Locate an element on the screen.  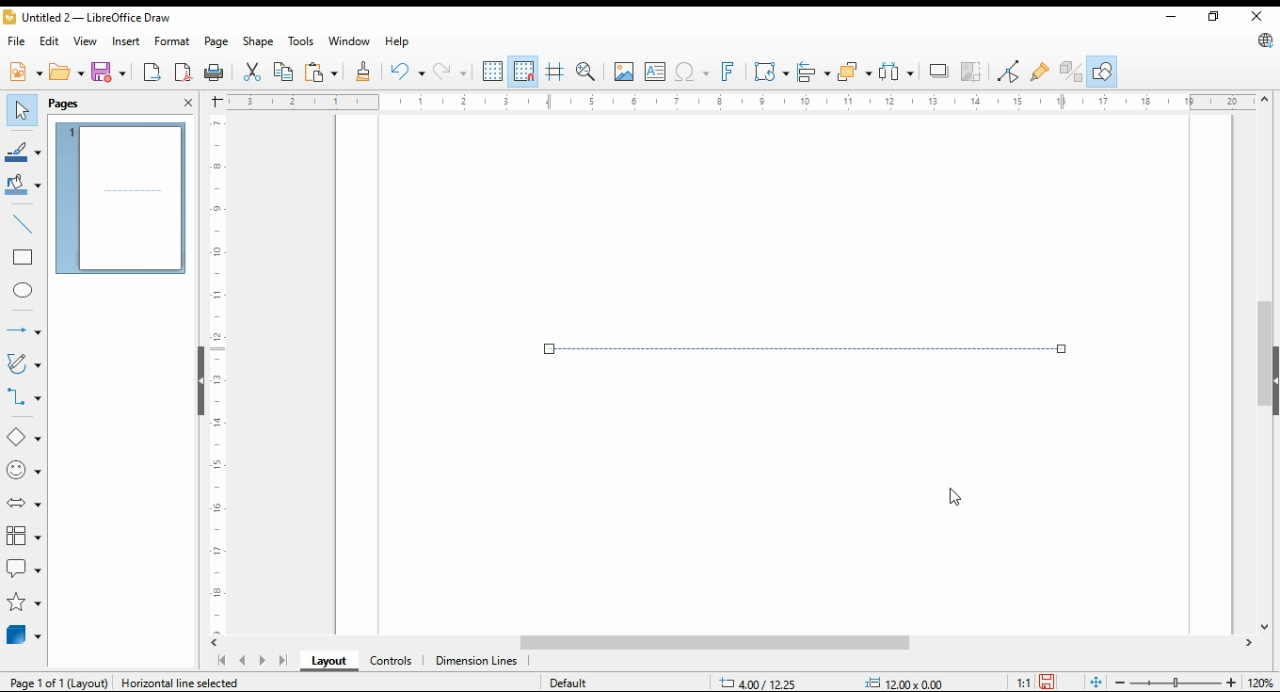
insert is located at coordinates (126, 40).